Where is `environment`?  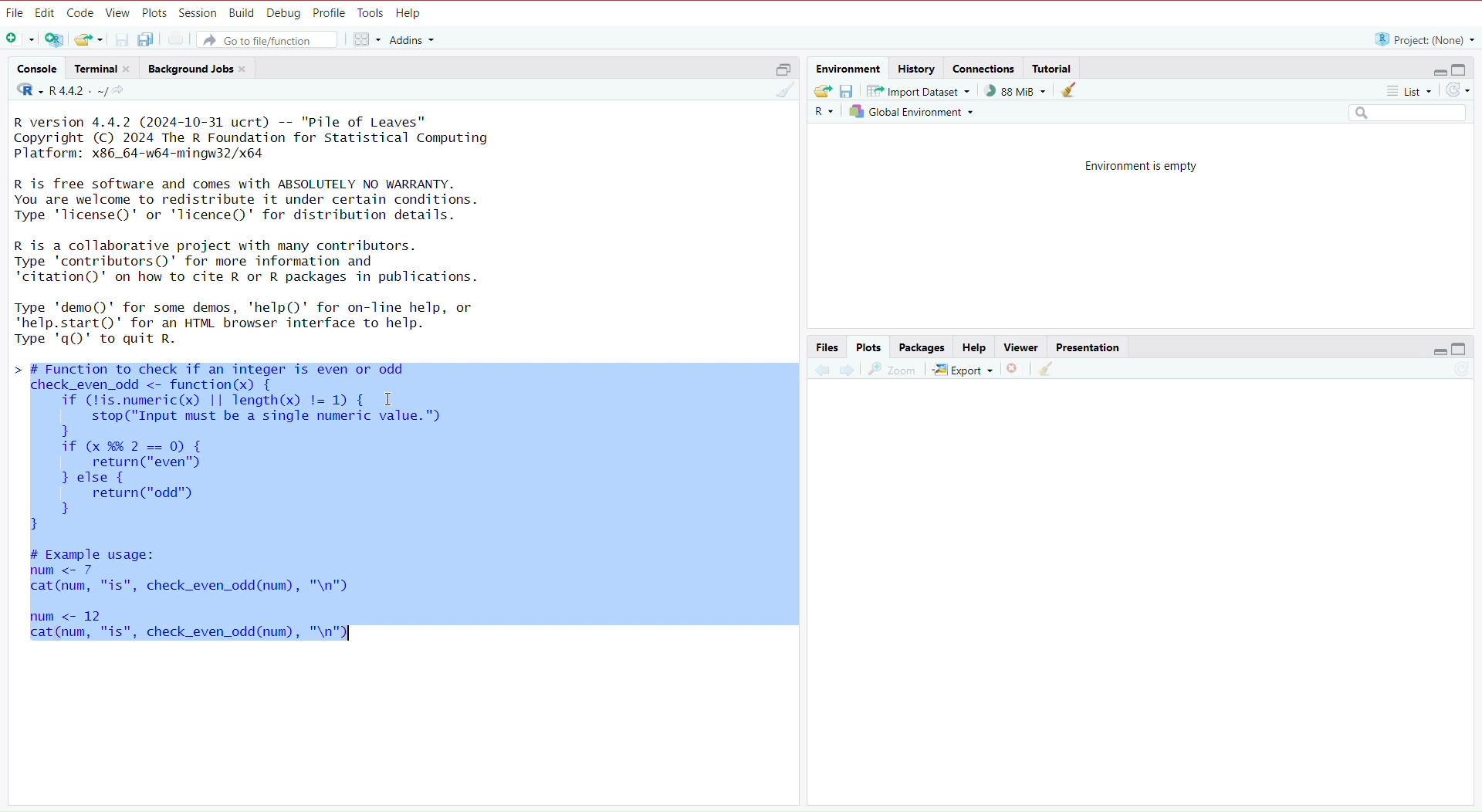
environment is located at coordinates (849, 69).